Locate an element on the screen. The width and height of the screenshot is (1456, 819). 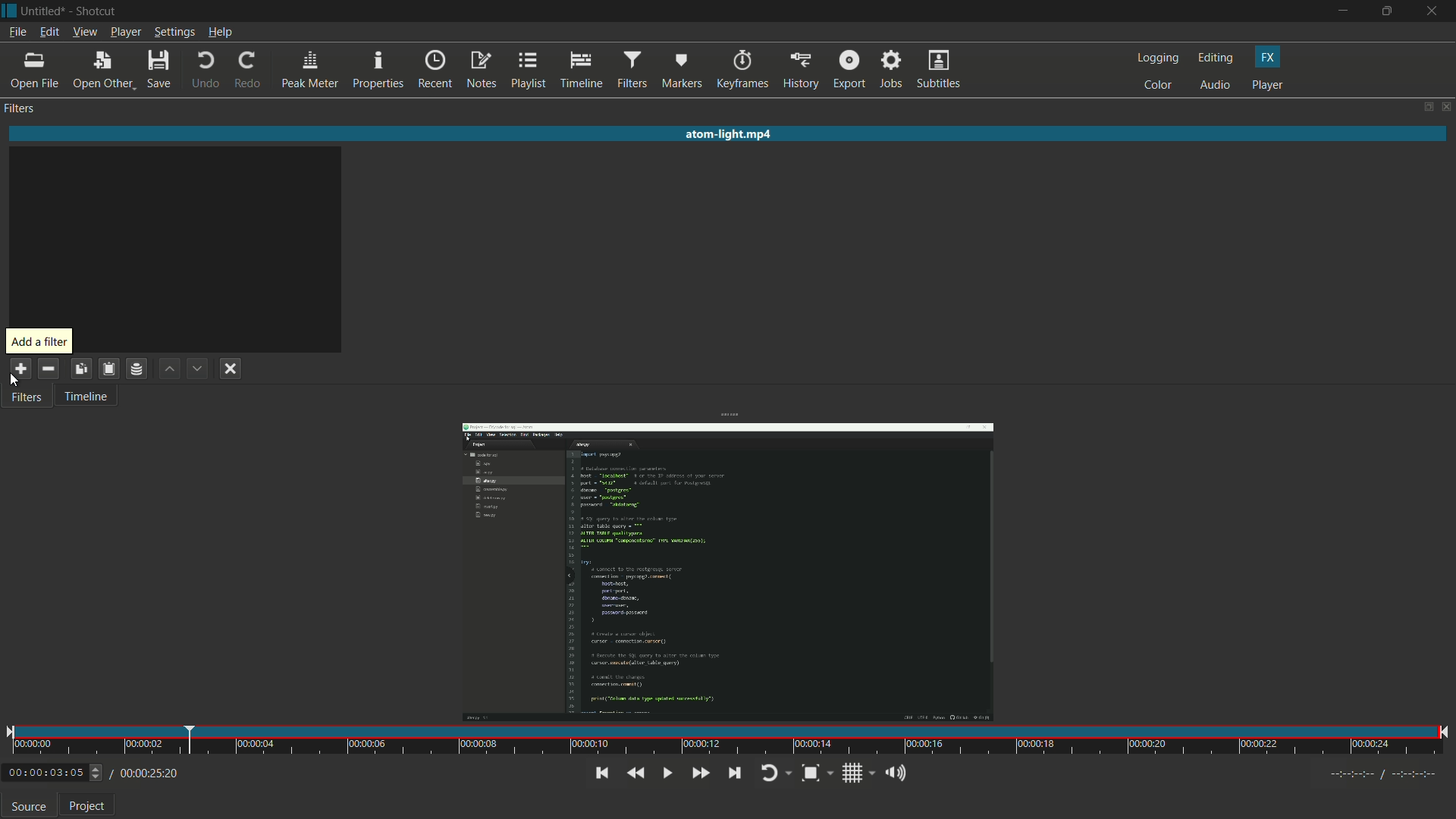
export is located at coordinates (849, 71).